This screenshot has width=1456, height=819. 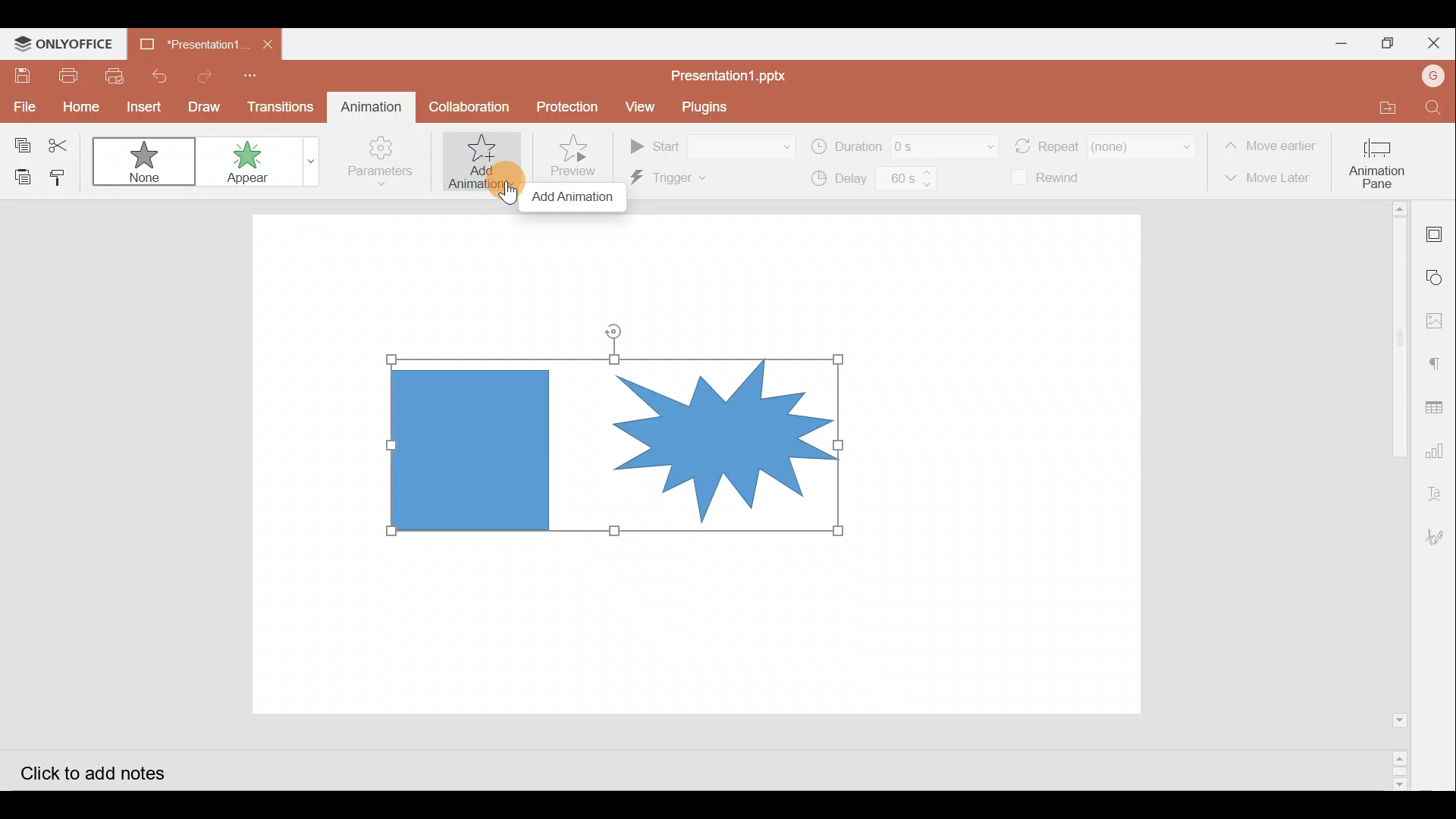 I want to click on Minimize, so click(x=1334, y=45).